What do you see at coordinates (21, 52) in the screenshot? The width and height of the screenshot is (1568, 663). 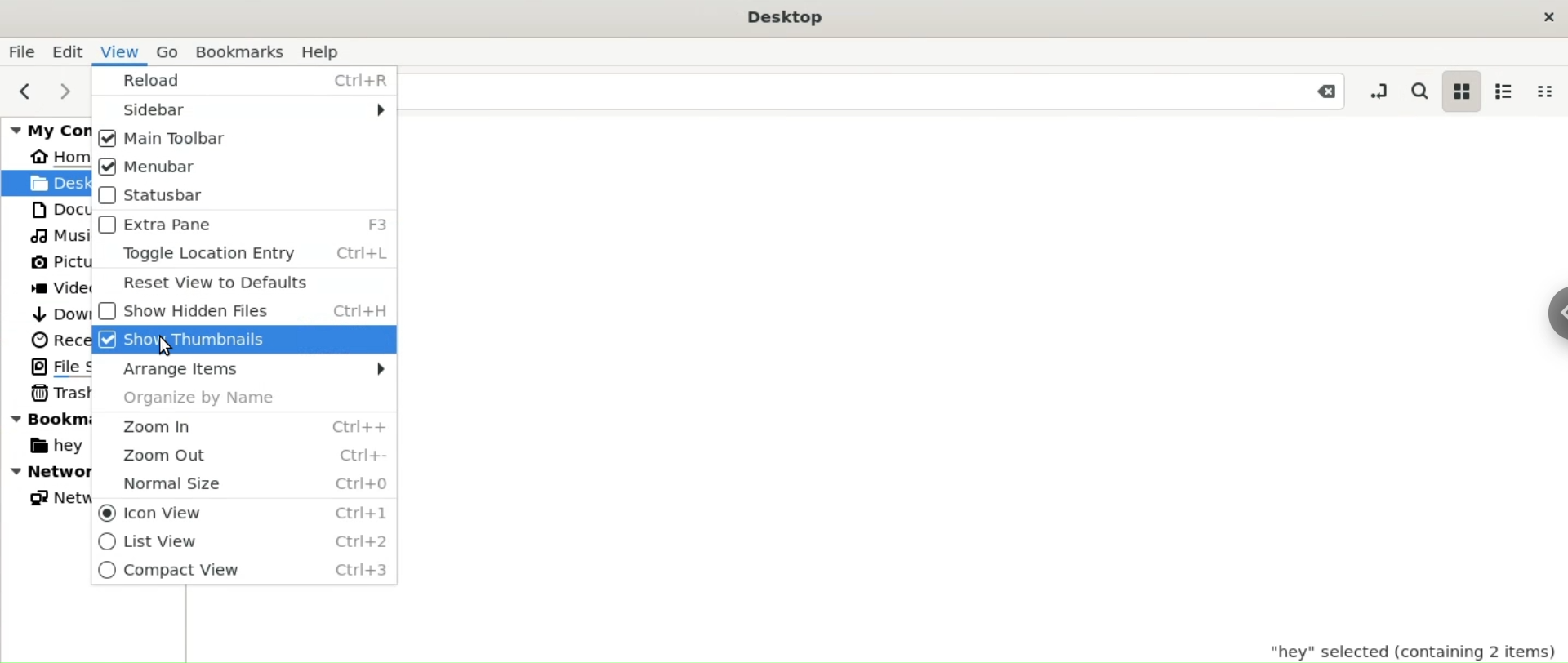 I see `File` at bounding box center [21, 52].